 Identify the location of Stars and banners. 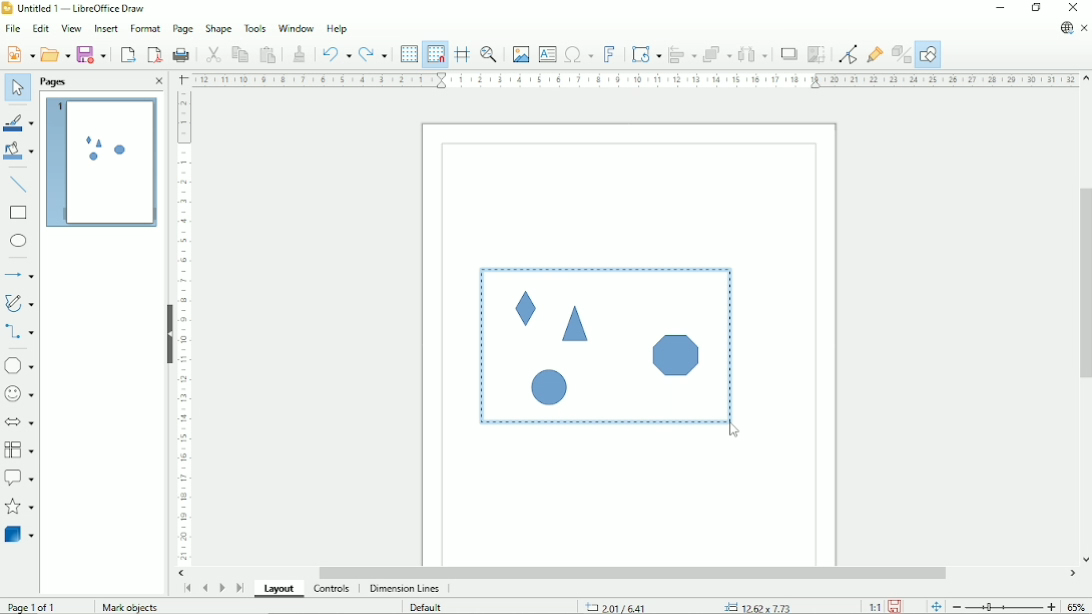
(21, 508).